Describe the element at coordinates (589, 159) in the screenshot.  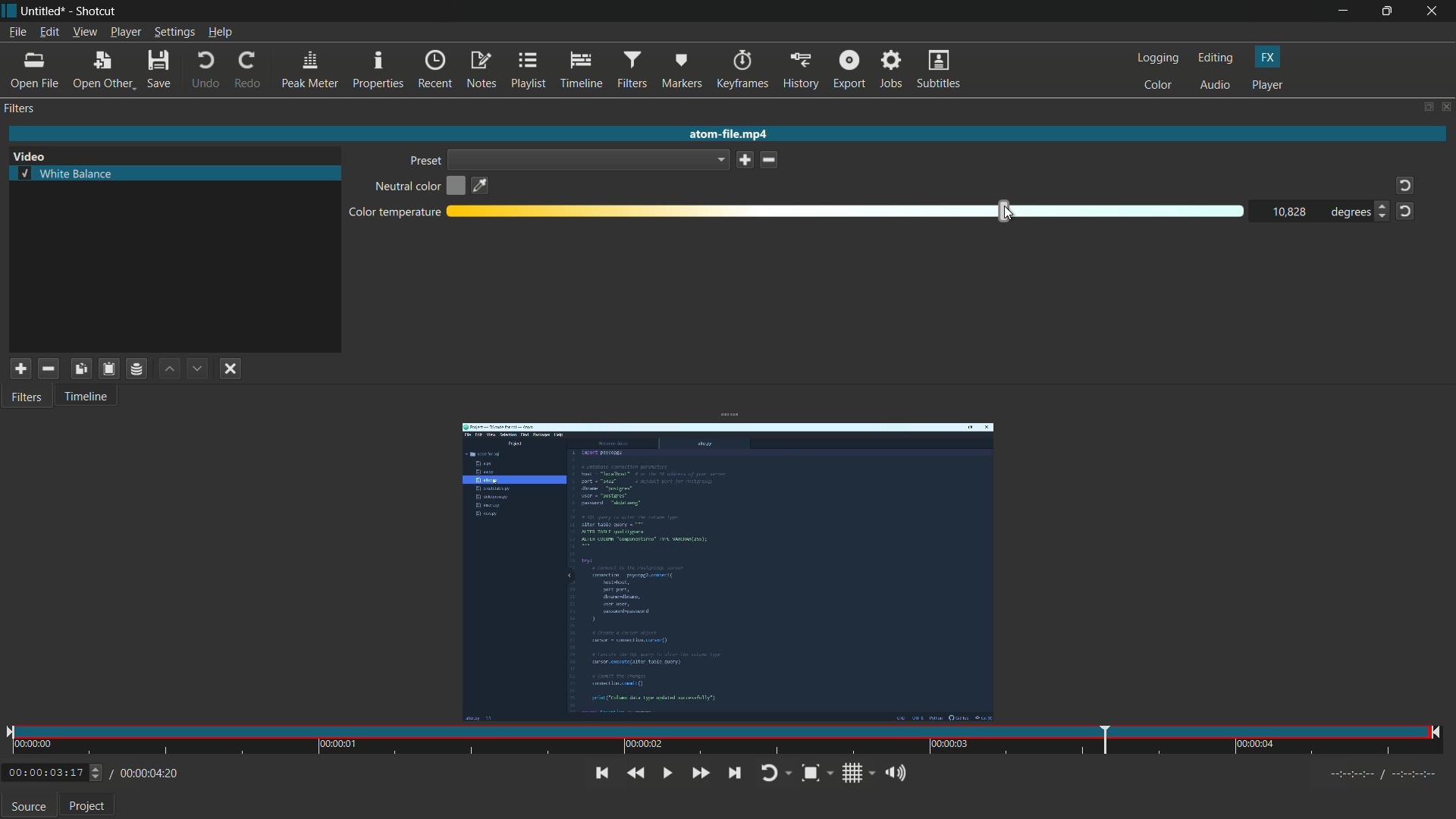
I see `dropdown` at that location.